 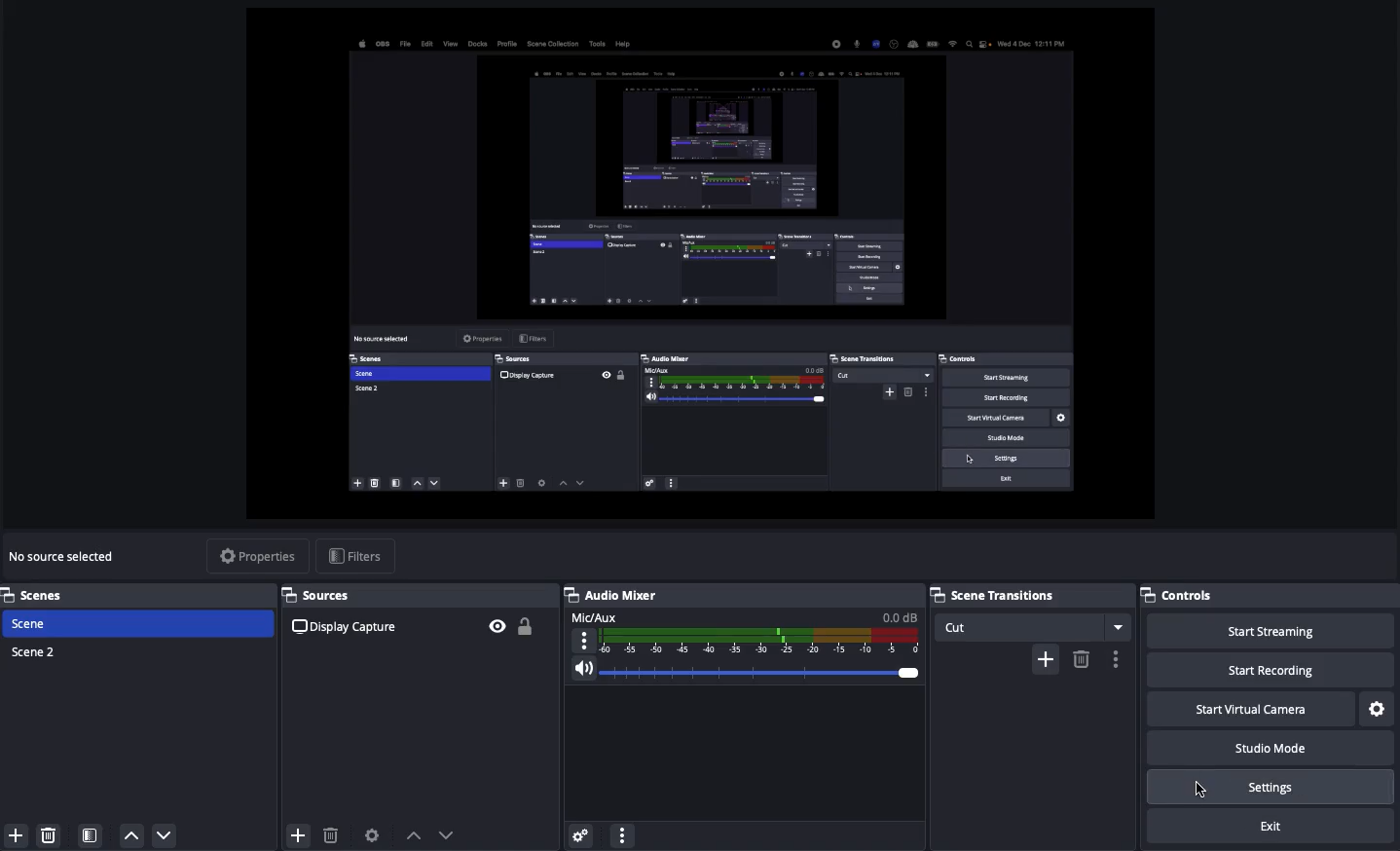 I want to click on Studio mode, so click(x=1270, y=751).